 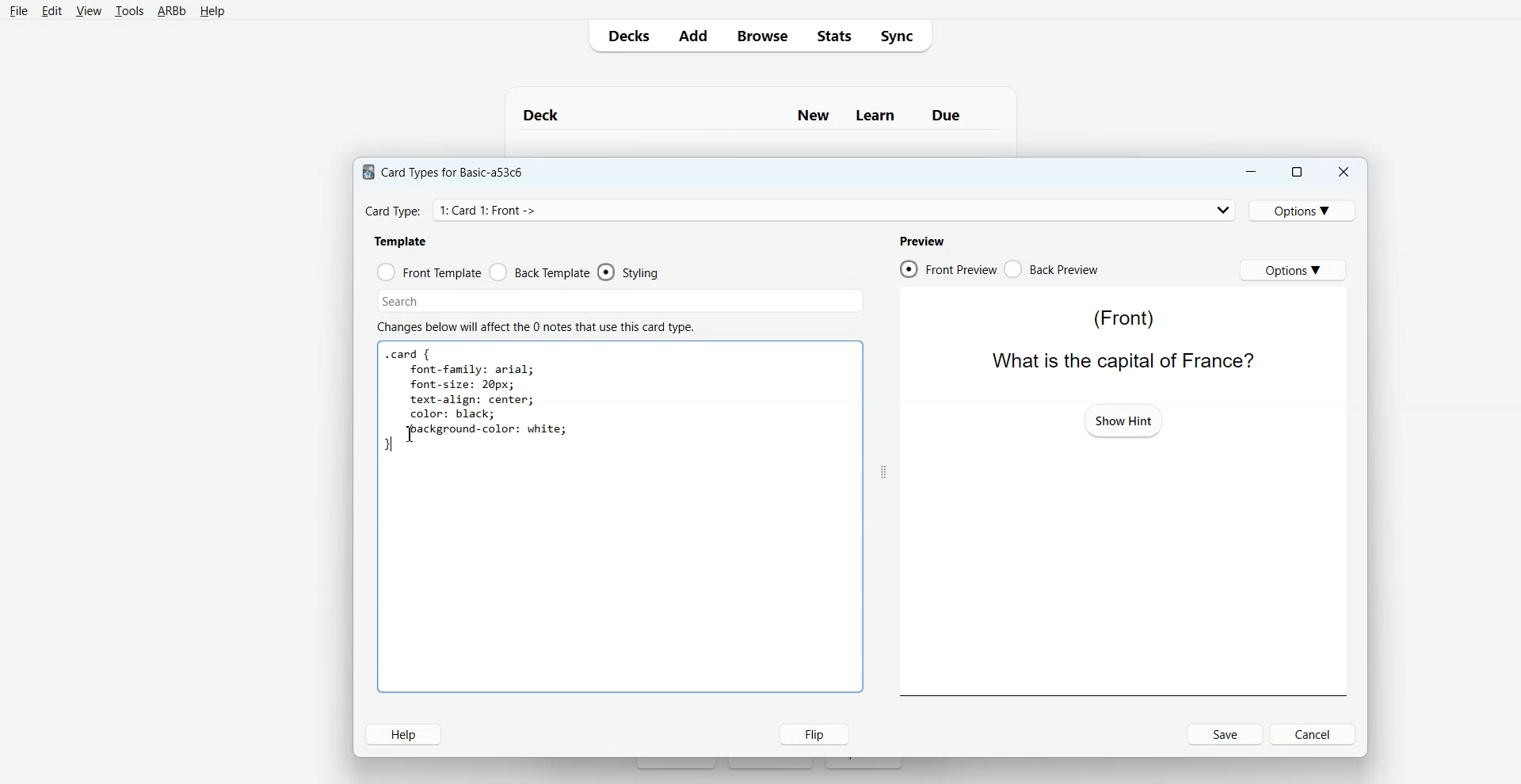 I want to click on Sync, so click(x=902, y=35).